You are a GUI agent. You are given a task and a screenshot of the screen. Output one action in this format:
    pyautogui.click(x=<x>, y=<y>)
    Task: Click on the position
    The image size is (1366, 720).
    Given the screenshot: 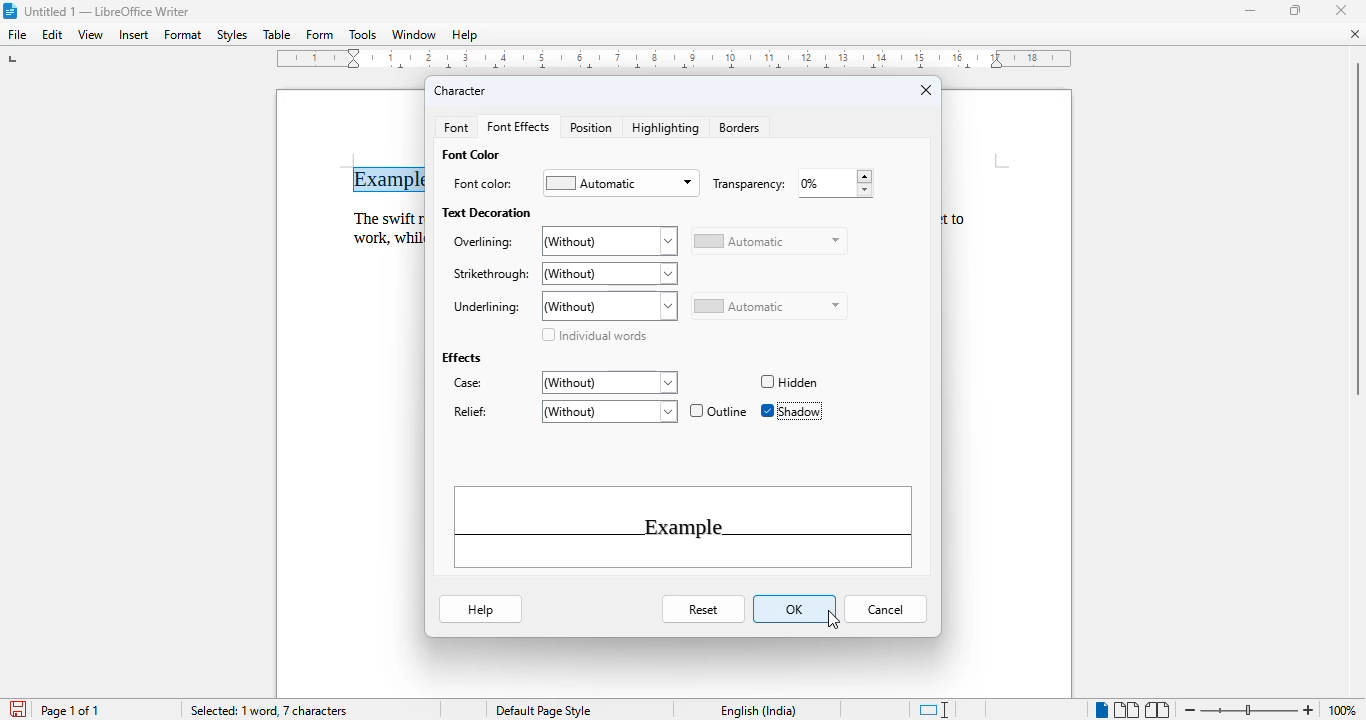 What is the action you would take?
    pyautogui.click(x=591, y=128)
    